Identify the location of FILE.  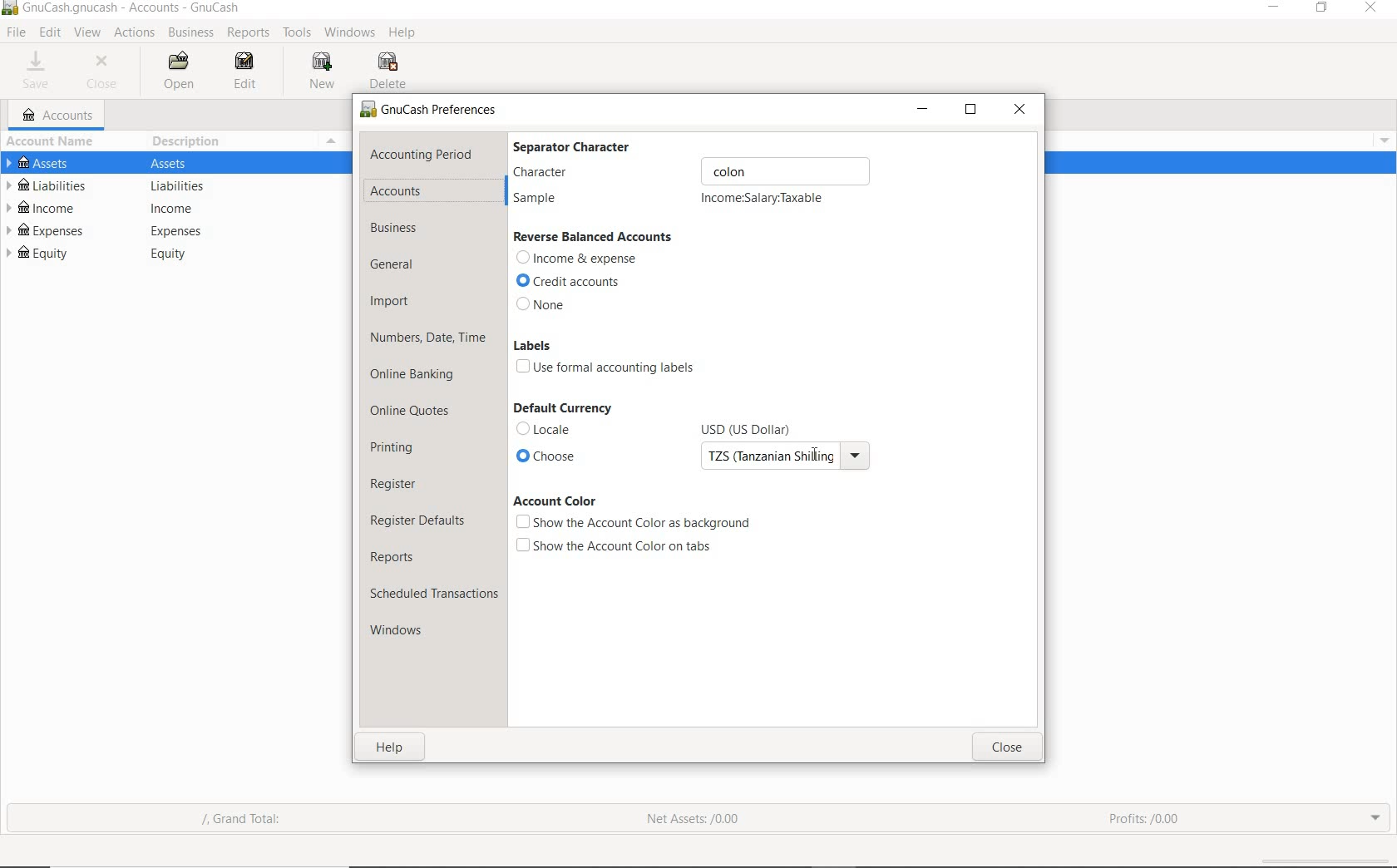
(15, 33).